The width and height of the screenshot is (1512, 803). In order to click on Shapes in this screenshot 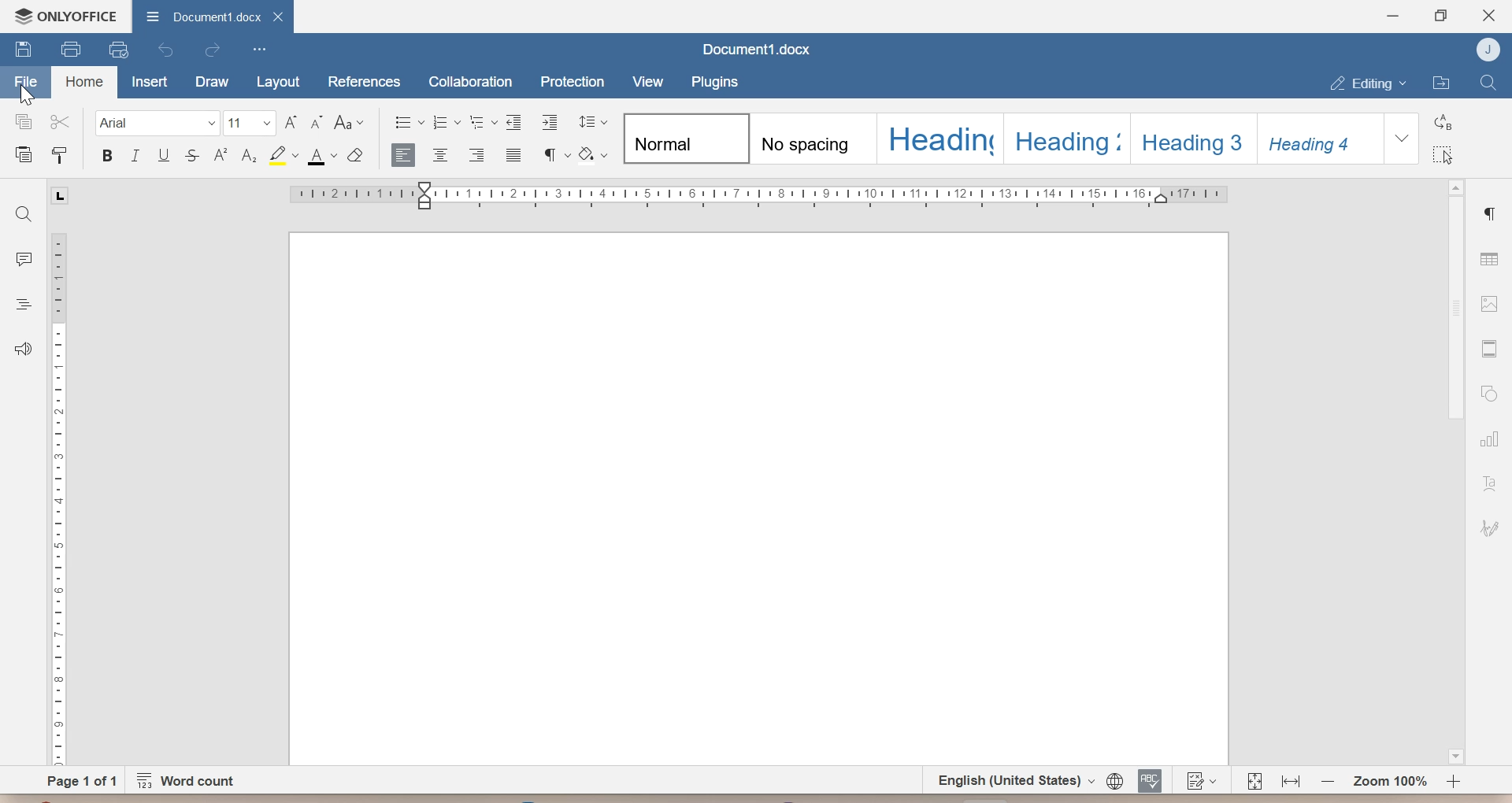, I will do `click(1489, 393)`.